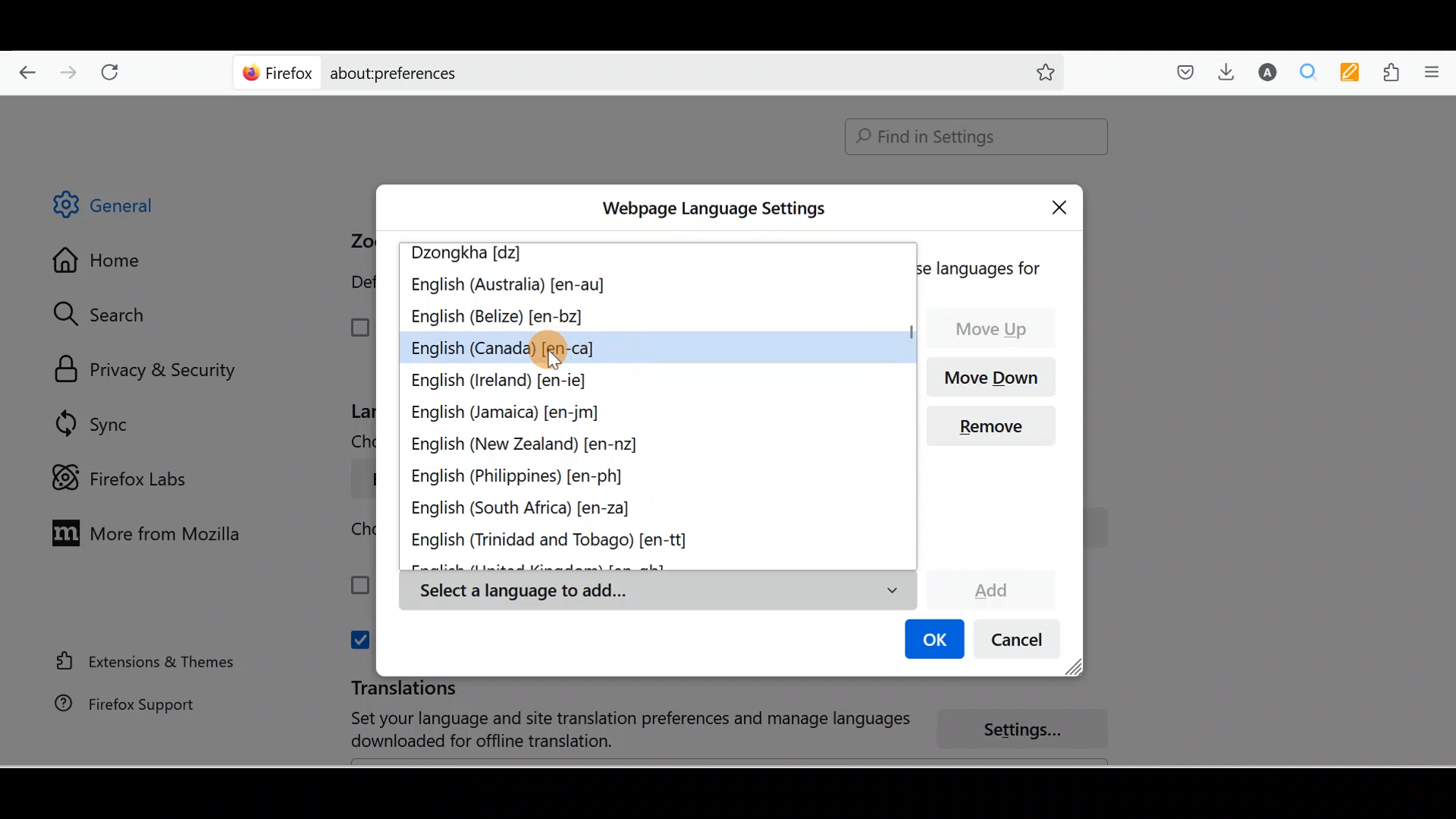  Describe the element at coordinates (997, 375) in the screenshot. I see `Move Down` at that location.